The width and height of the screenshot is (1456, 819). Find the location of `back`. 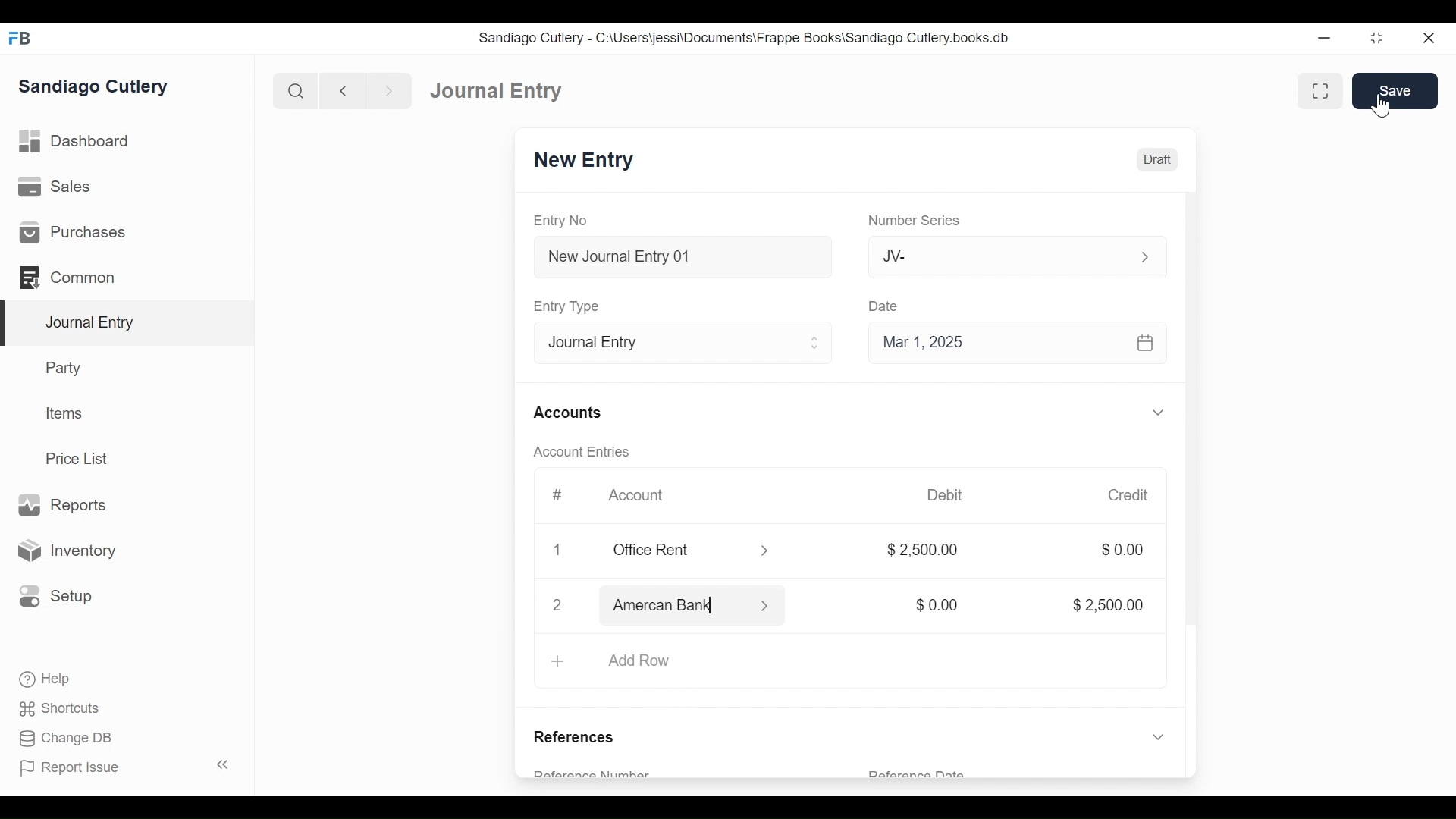

back is located at coordinates (343, 89).